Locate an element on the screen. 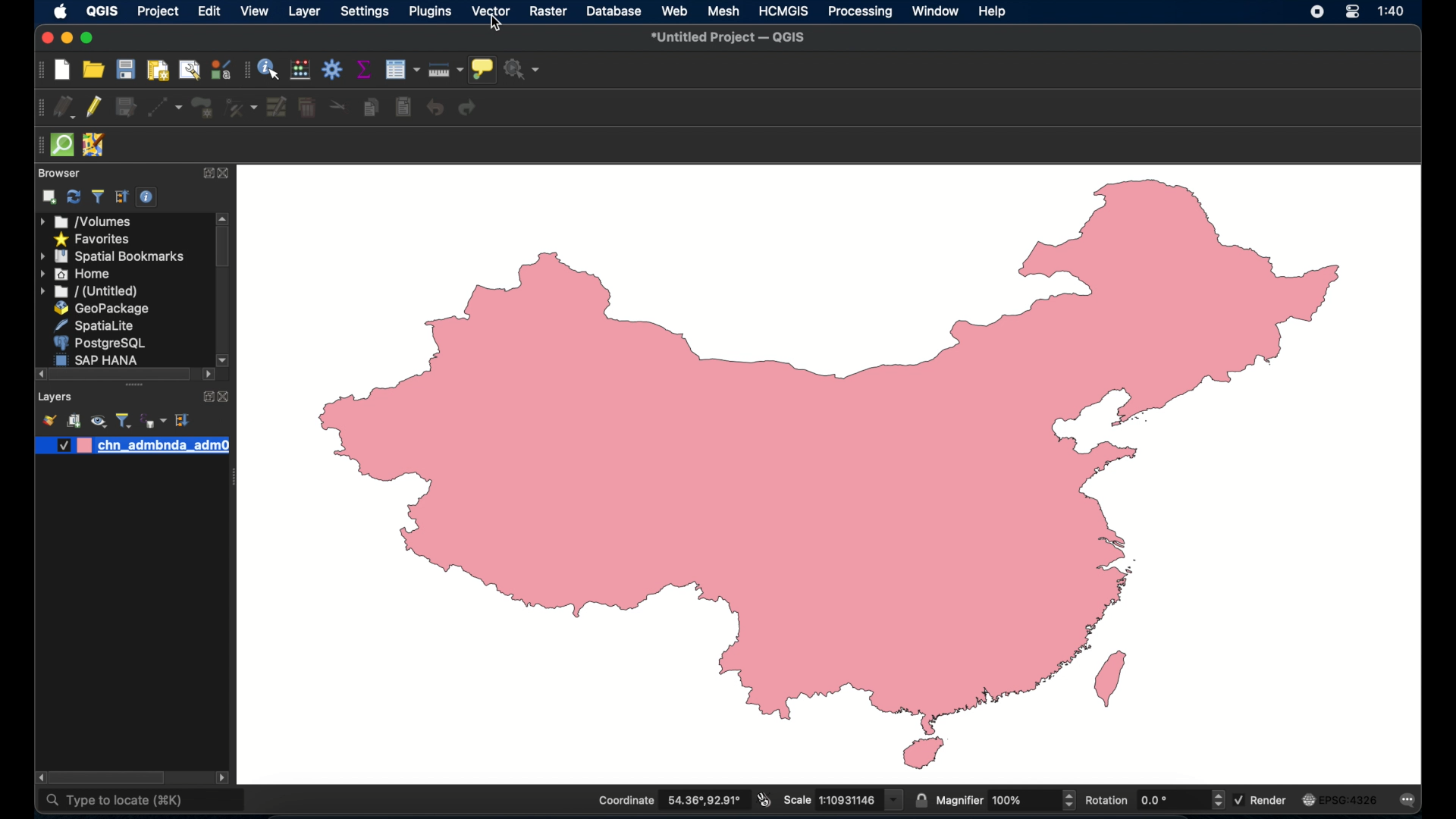 The width and height of the screenshot is (1456, 819). browser is located at coordinates (59, 173).